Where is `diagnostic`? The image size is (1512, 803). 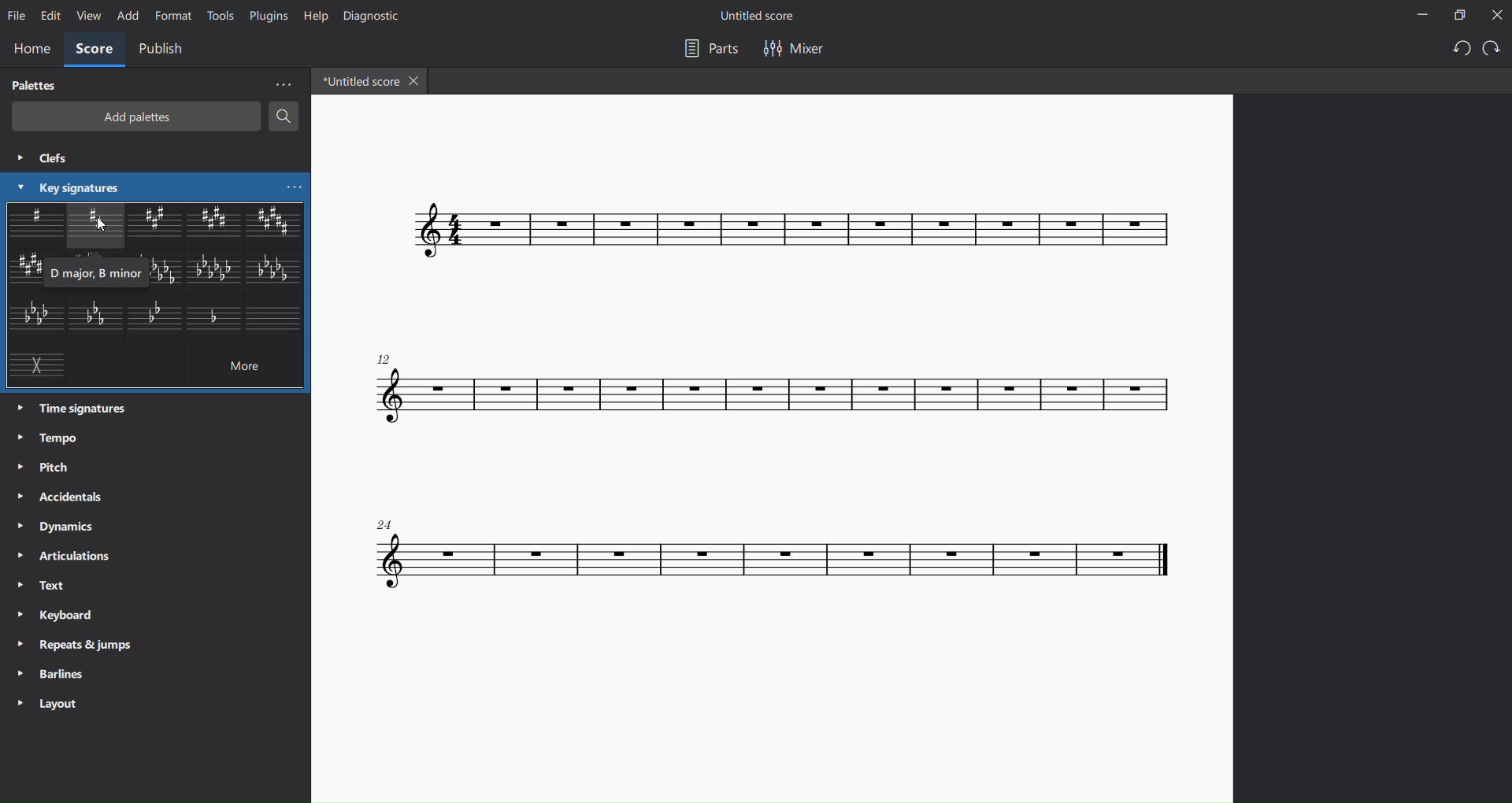 diagnostic is located at coordinates (374, 17).